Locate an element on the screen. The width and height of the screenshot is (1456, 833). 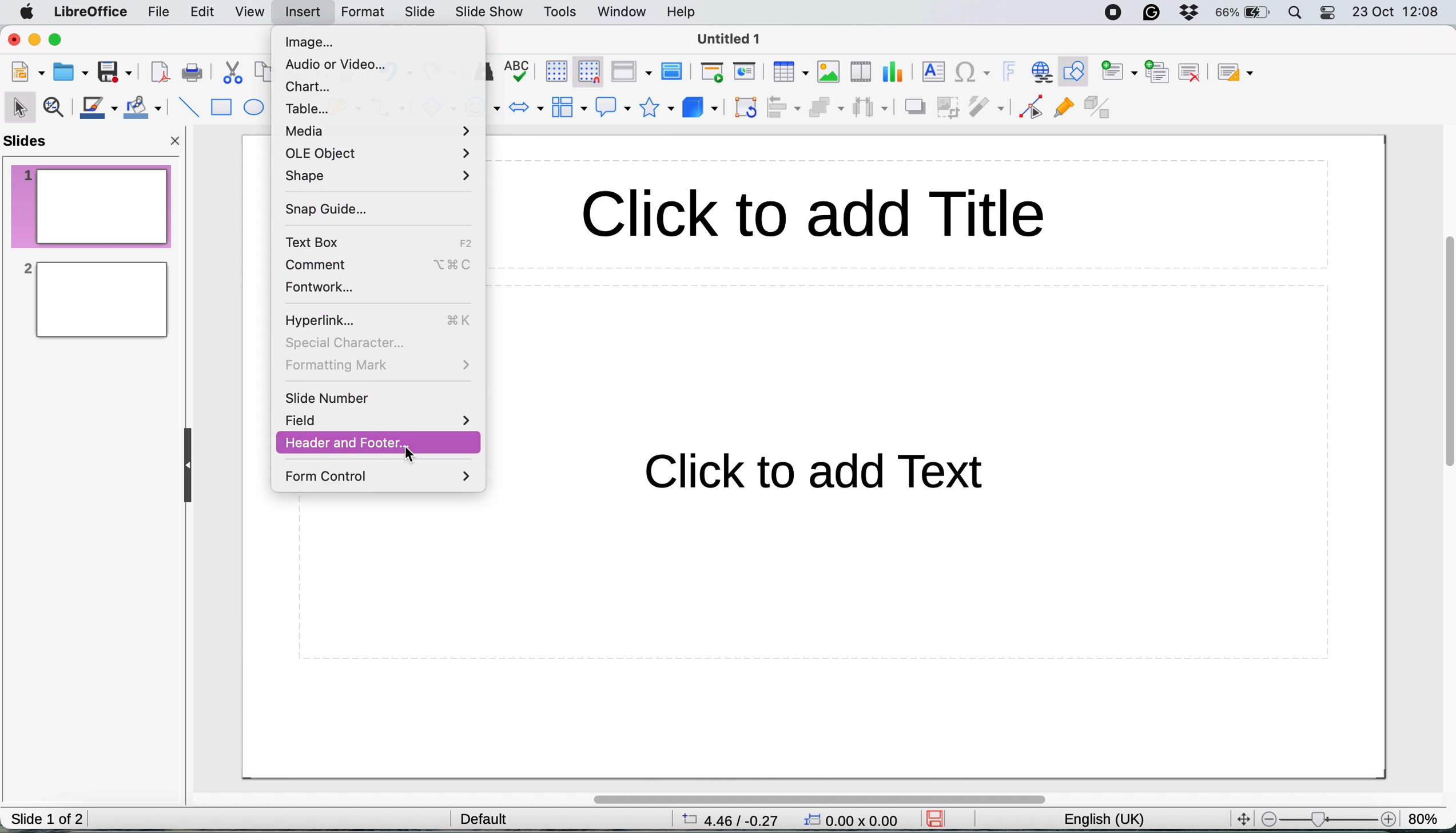
stars and banners is located at coordinates (655, 108).